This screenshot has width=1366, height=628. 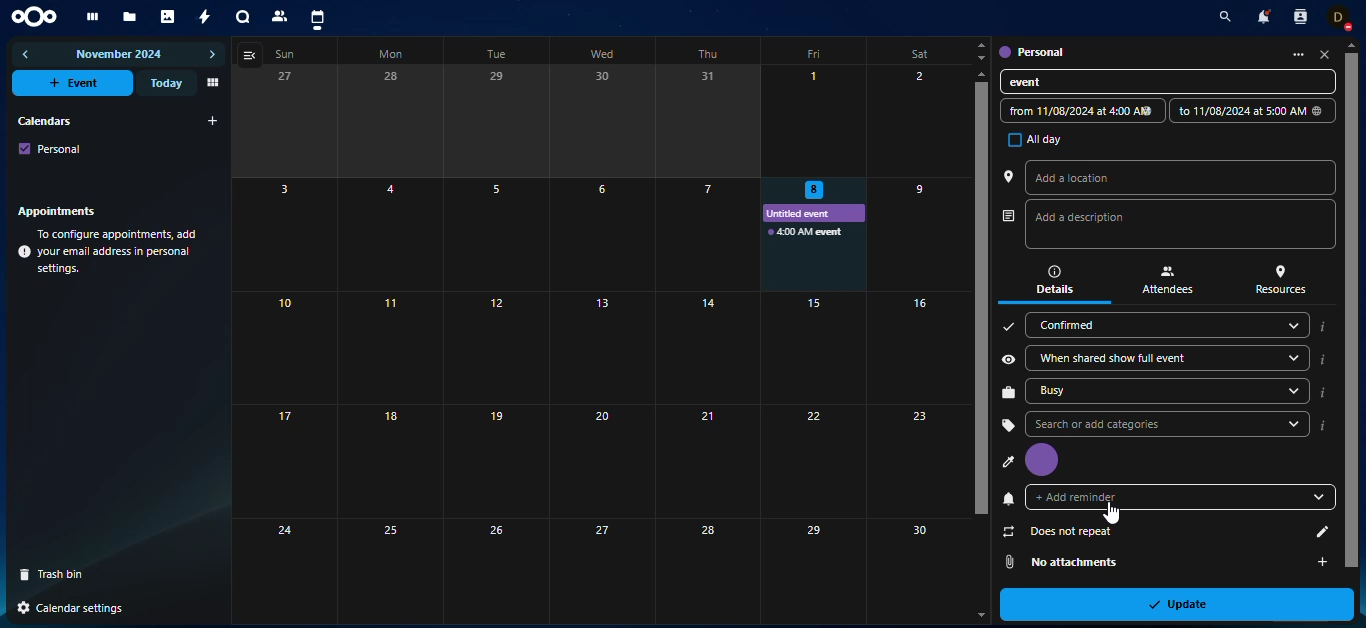 What do you see at coordinates (1008, 358) in the screenshot?
I see `share` at bounding box center [1008, 358].